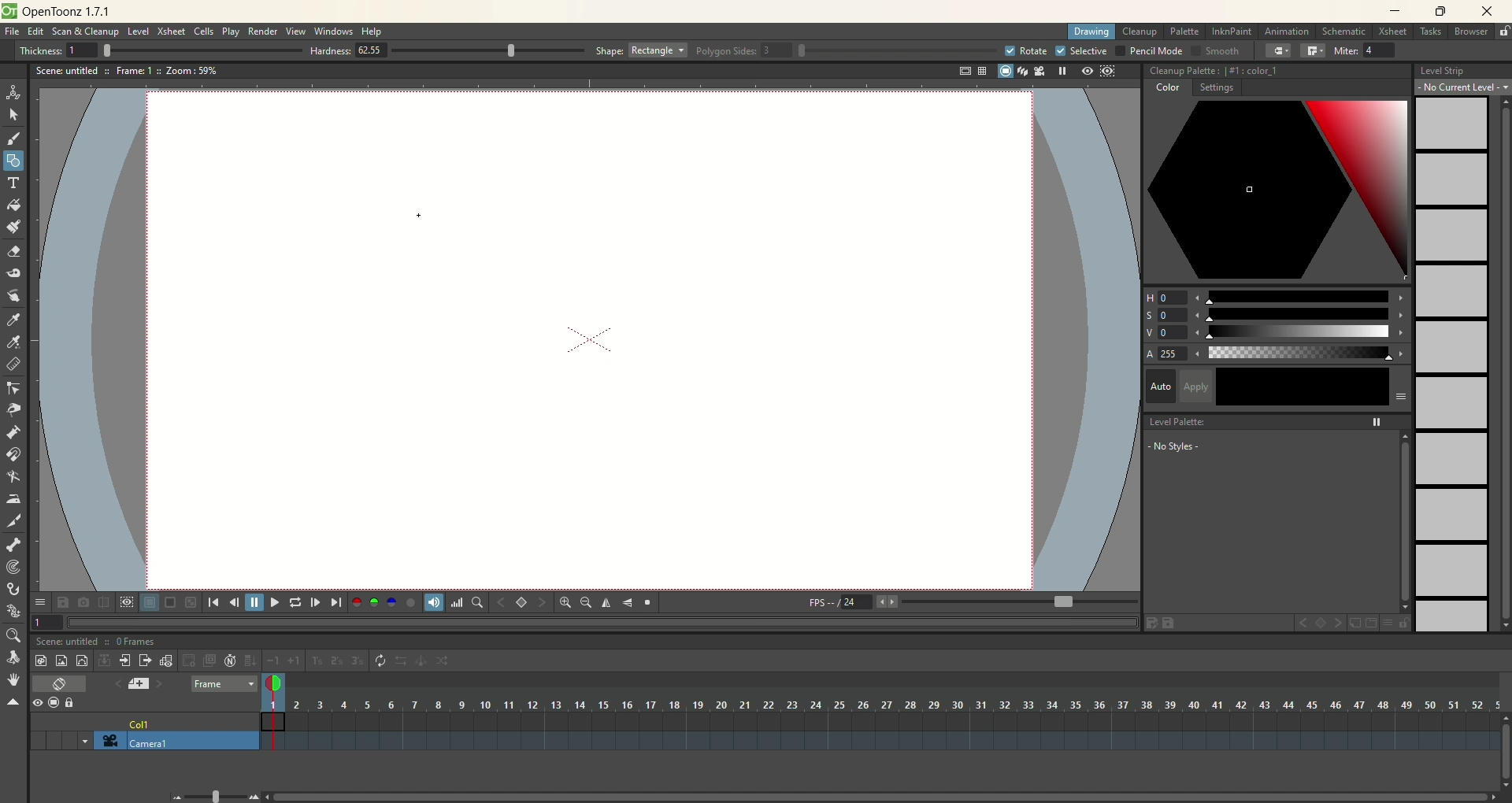  I want to click on thickness, so click(154, 50).